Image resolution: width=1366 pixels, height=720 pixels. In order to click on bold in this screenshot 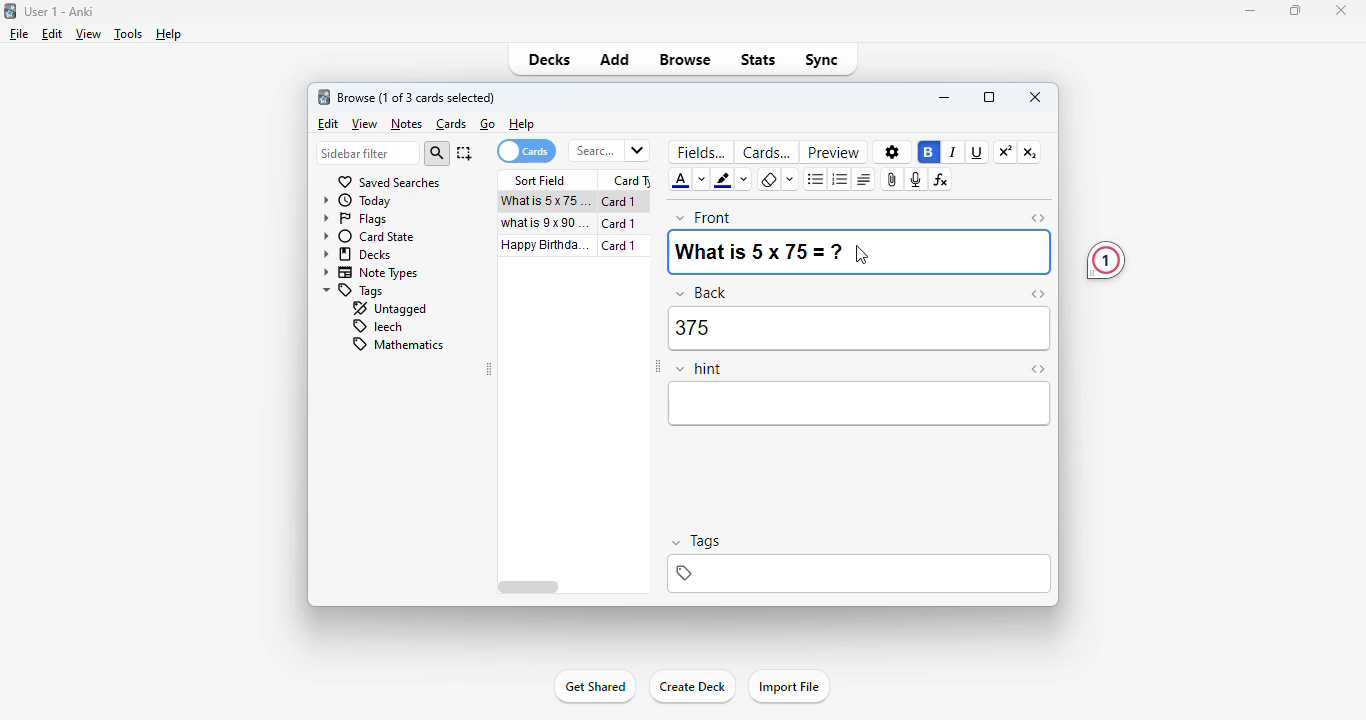, I will do `click(929, 152)`.